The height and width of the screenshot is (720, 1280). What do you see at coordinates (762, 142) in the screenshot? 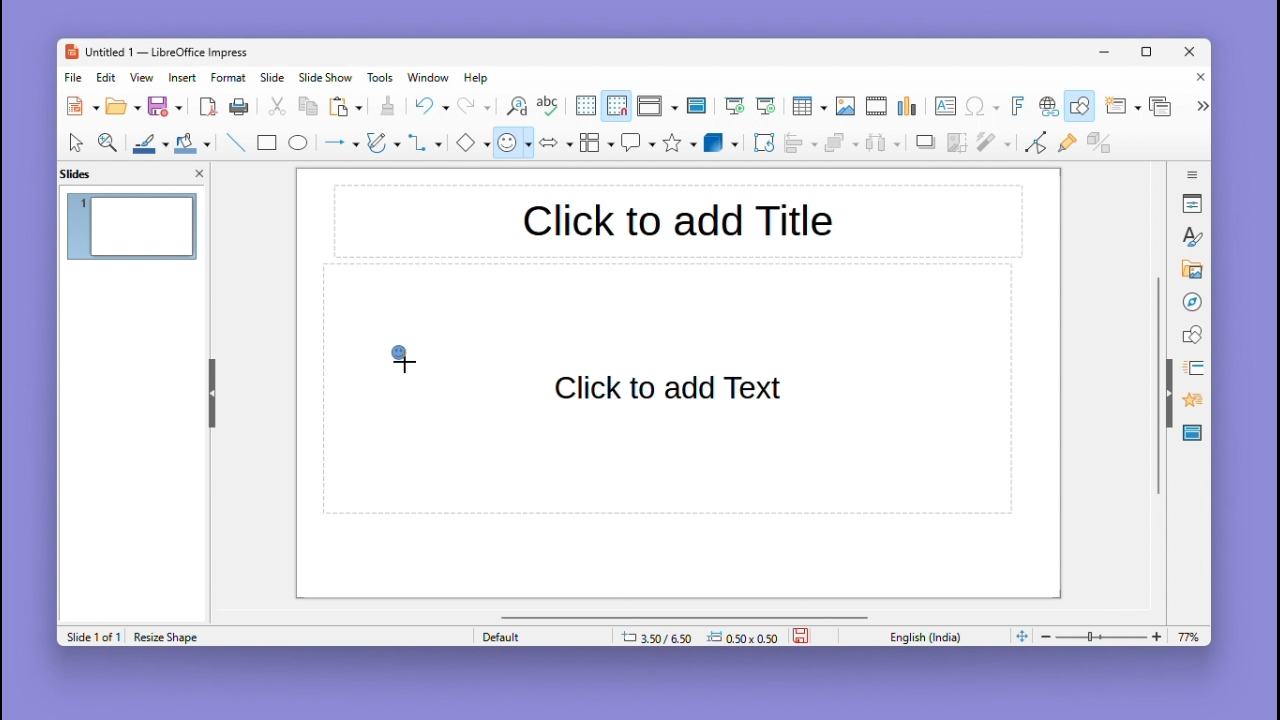
I see `Rotate` at bounding box center [762, 142].